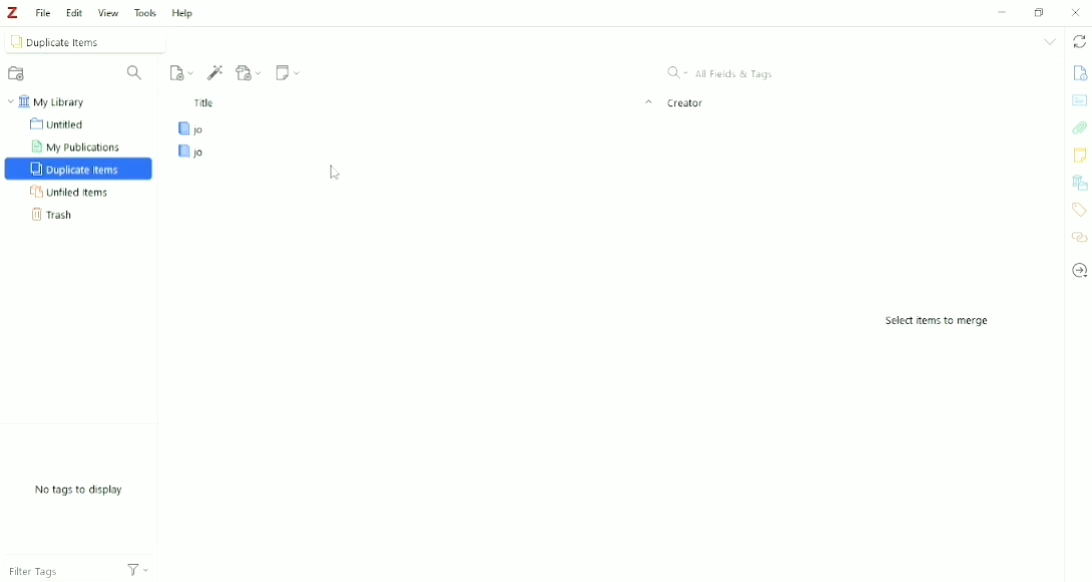 Image resolution: width=1092 pixels, height=582 pixels. Describe the element at coordinates (53, 568) in the screenshot. I see `Filter Tags` at that location.